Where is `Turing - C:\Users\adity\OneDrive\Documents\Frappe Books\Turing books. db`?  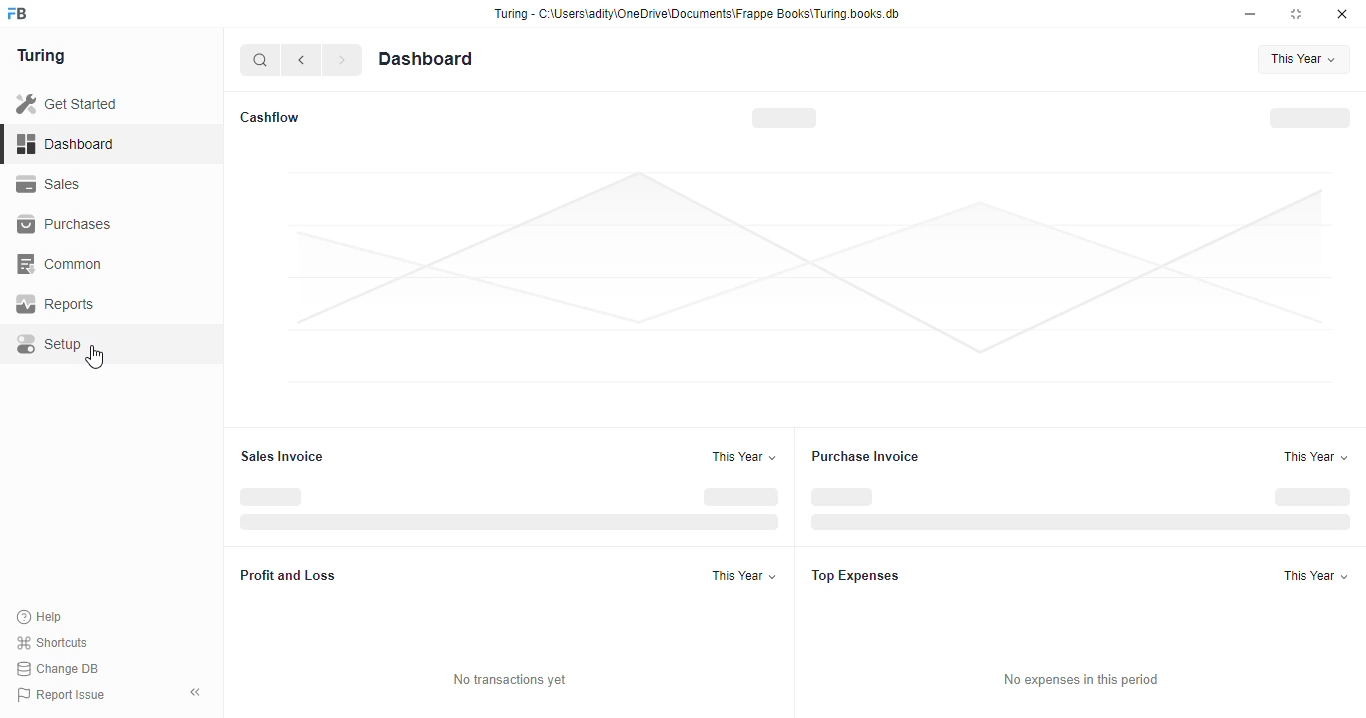 Turing - C:\Users\adity\OneDrive\Documents\Frappe Books\Turing books. db is located at coordinates (702, 14).